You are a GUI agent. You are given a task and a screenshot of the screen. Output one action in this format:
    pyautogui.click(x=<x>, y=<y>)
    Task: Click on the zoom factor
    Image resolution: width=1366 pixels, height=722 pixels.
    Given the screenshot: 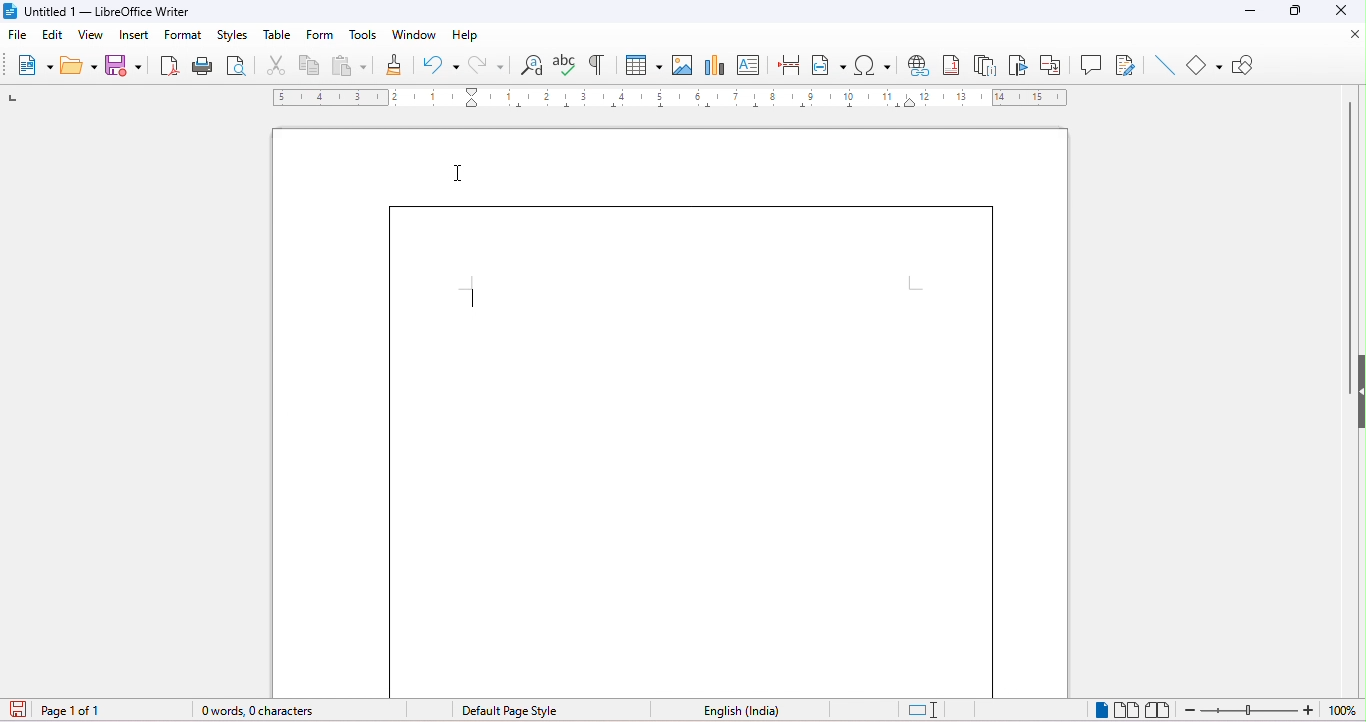 What is the action you would take?
    pyautogui.click(x=1345, y=710)
    